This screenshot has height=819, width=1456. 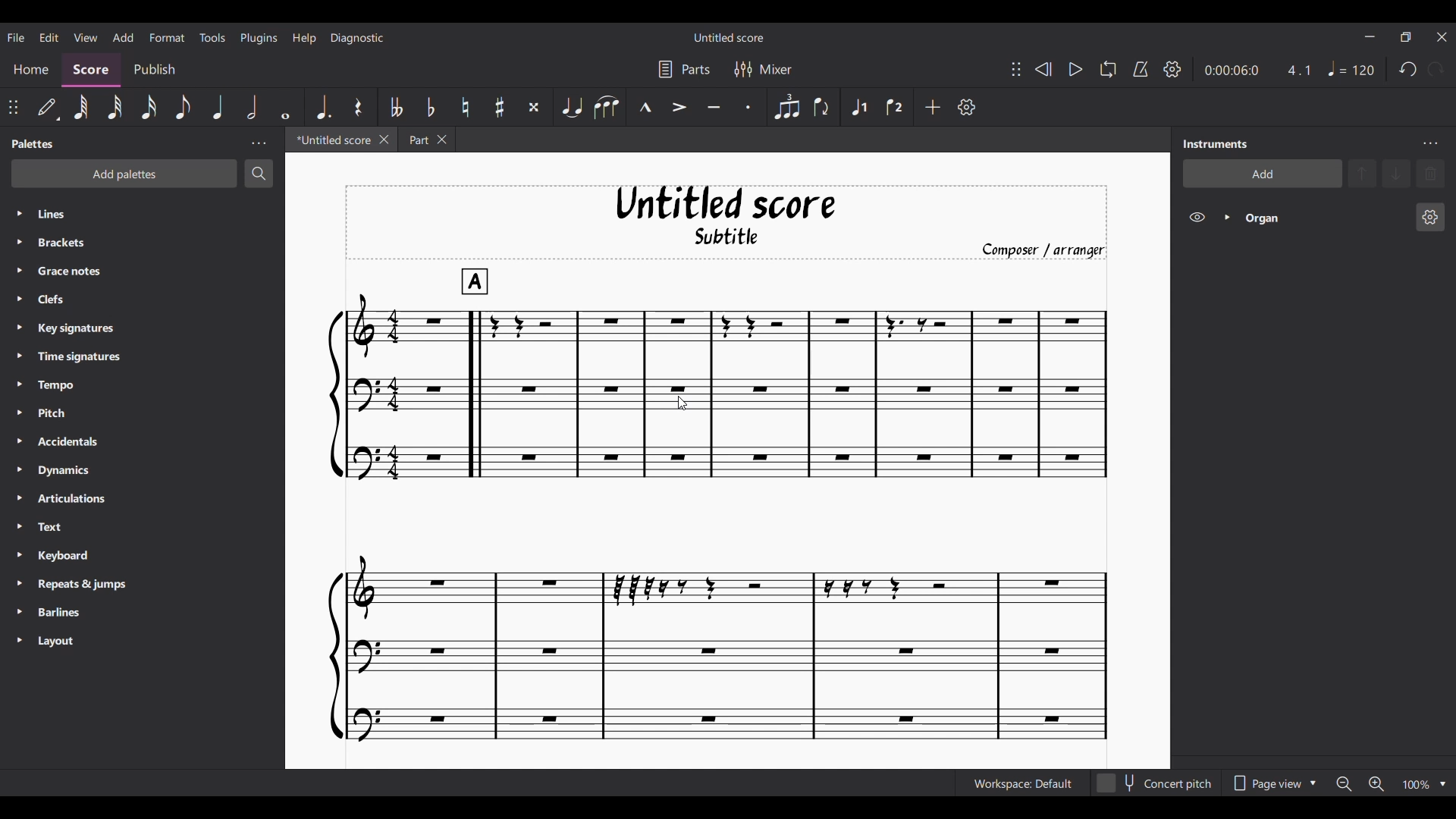 I want to click on Diagnostic menu, so click(x=357, y=37).